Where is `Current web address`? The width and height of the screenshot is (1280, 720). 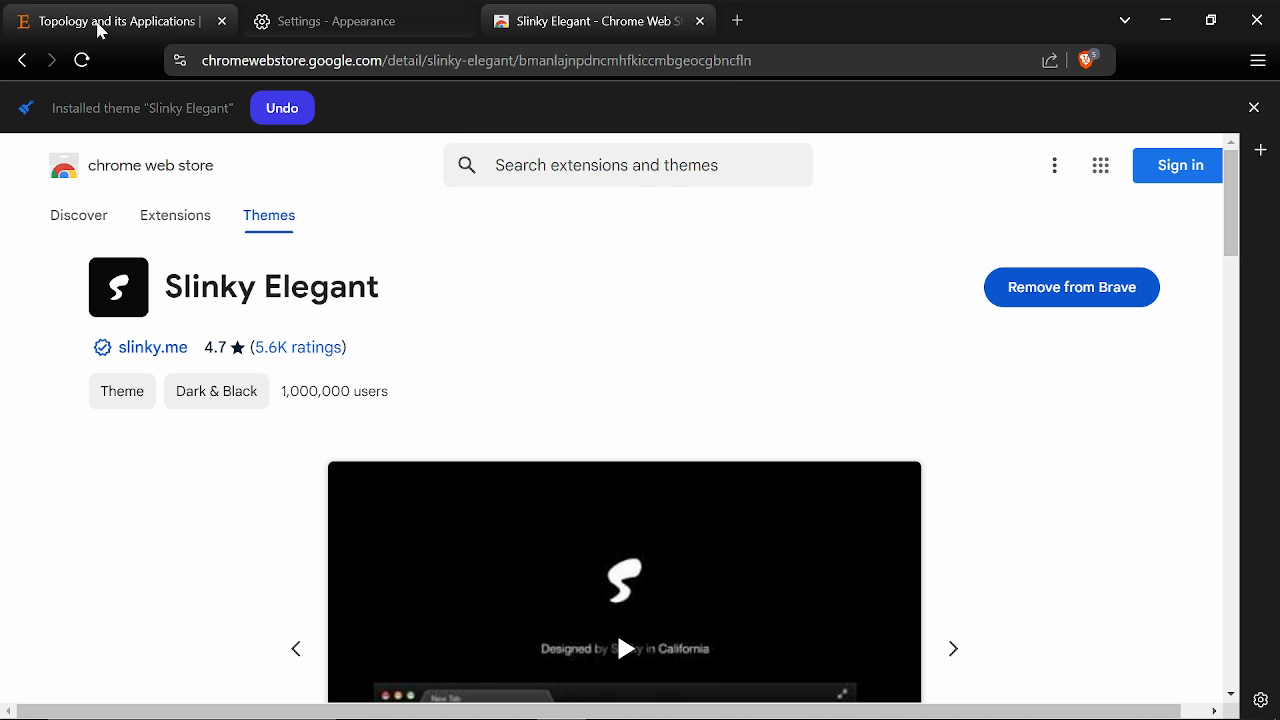 Current web address is located at coordinates (482, 61).